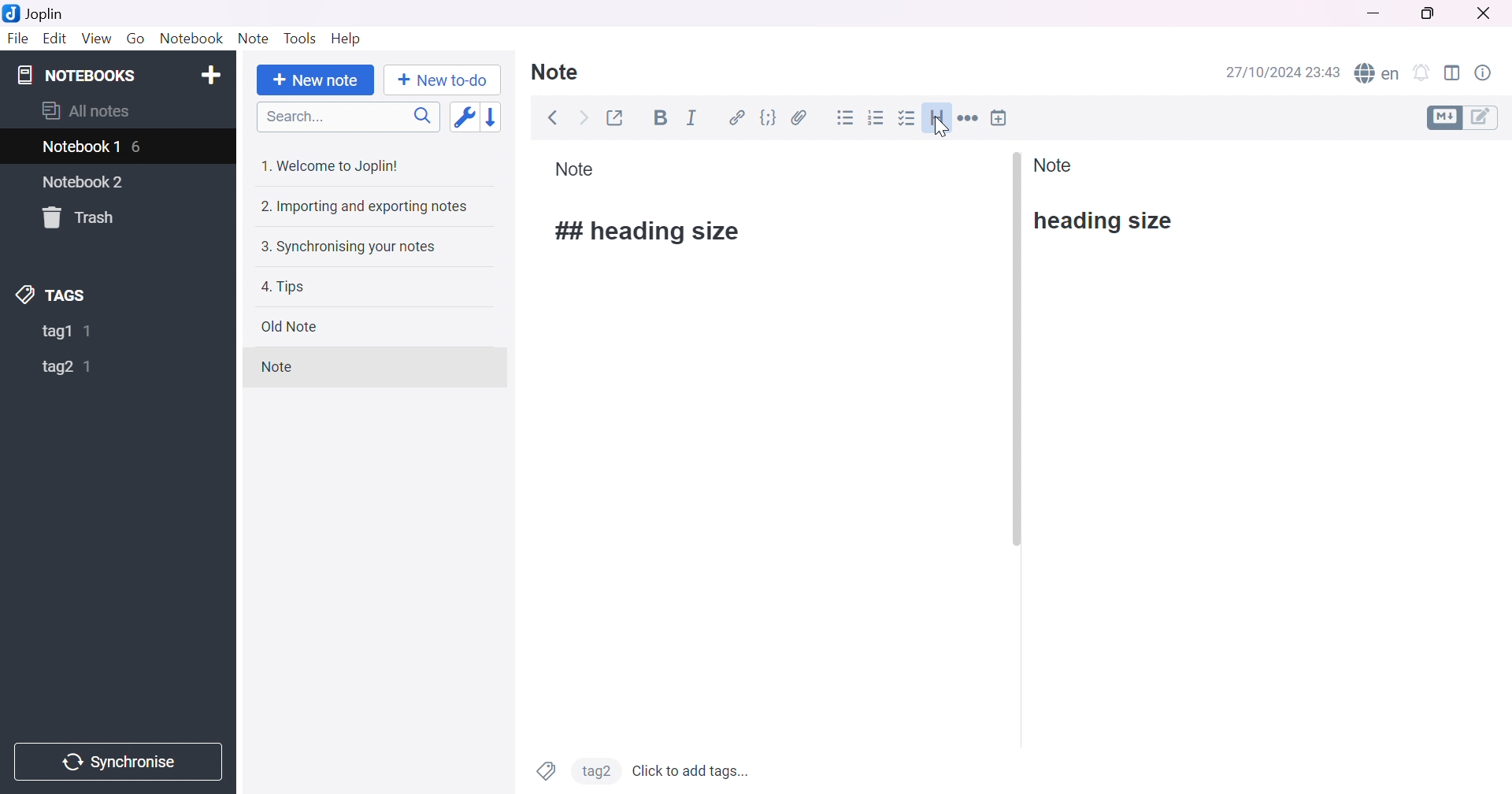  What do you see at coordinates (86, 109) in the screenshot?
I see `All notes` at bounding box center [86, 109].